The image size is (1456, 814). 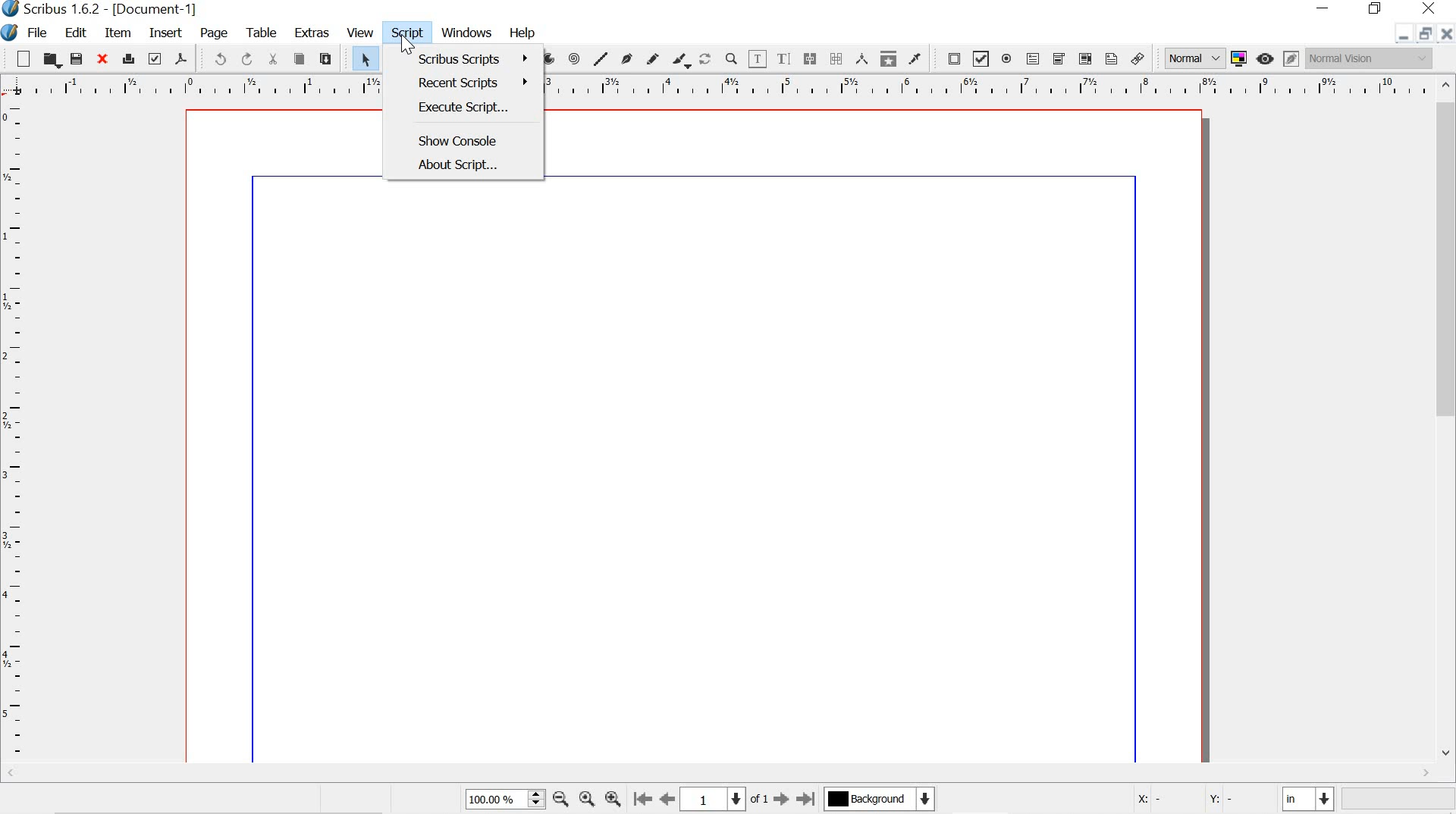 I want to click on bezier curve, so click(x=628, y=58).